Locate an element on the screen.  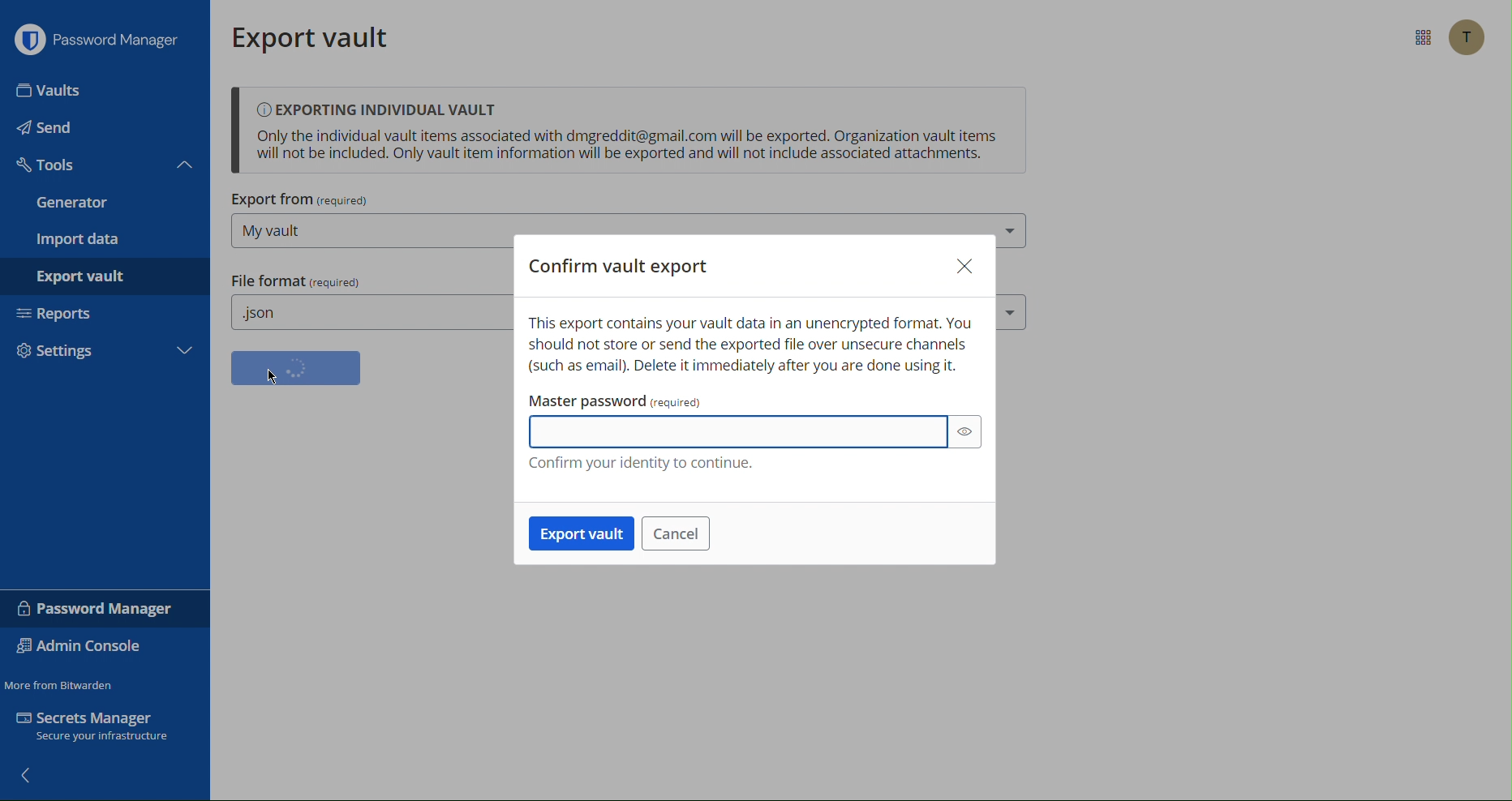
Confirm your identify to continue is located at coordinates (640, 465).